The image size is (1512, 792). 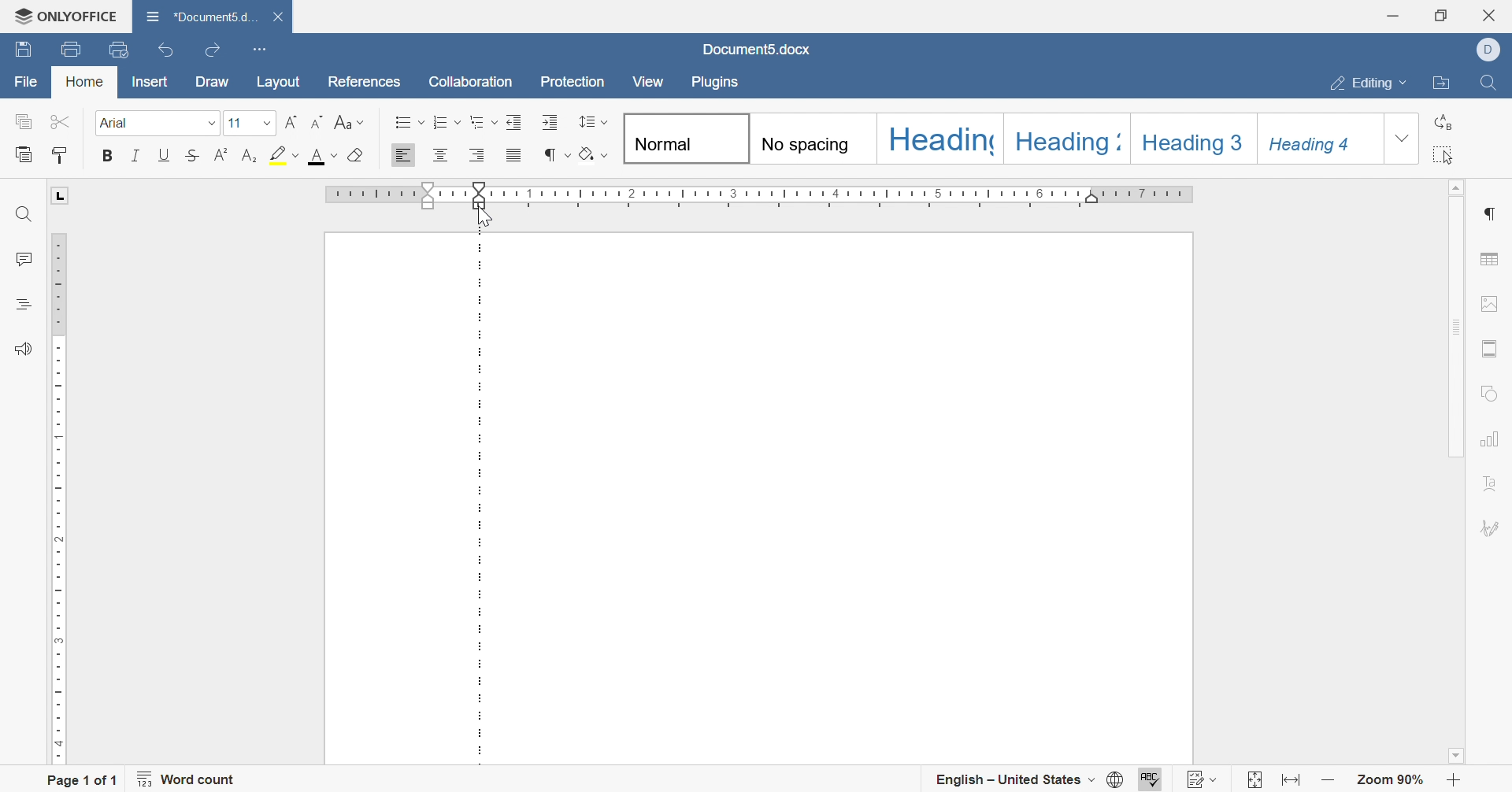 I want to click on word count, so click(x=190, y=779).